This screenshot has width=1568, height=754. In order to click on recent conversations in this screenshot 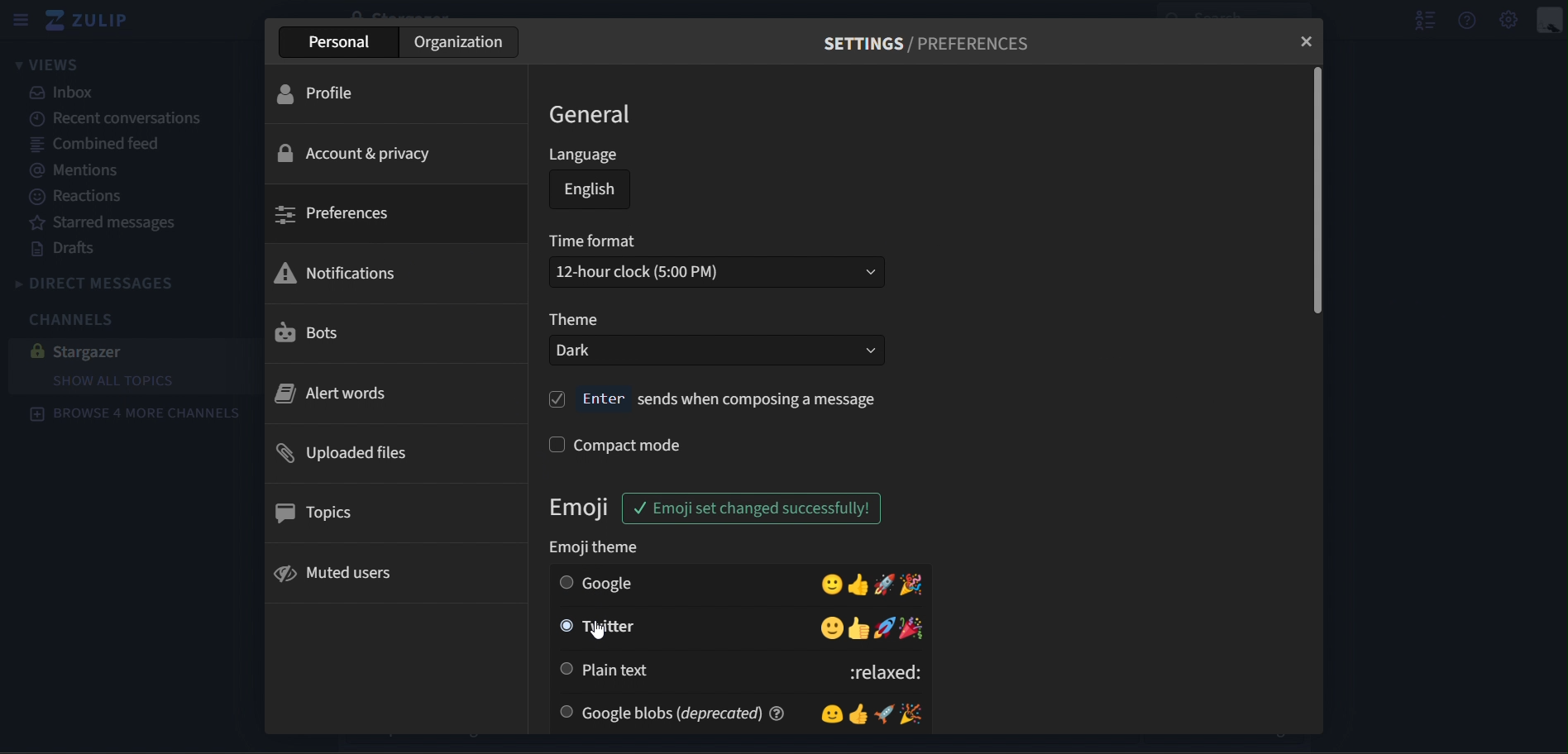, I will do `click(120, 119)`.